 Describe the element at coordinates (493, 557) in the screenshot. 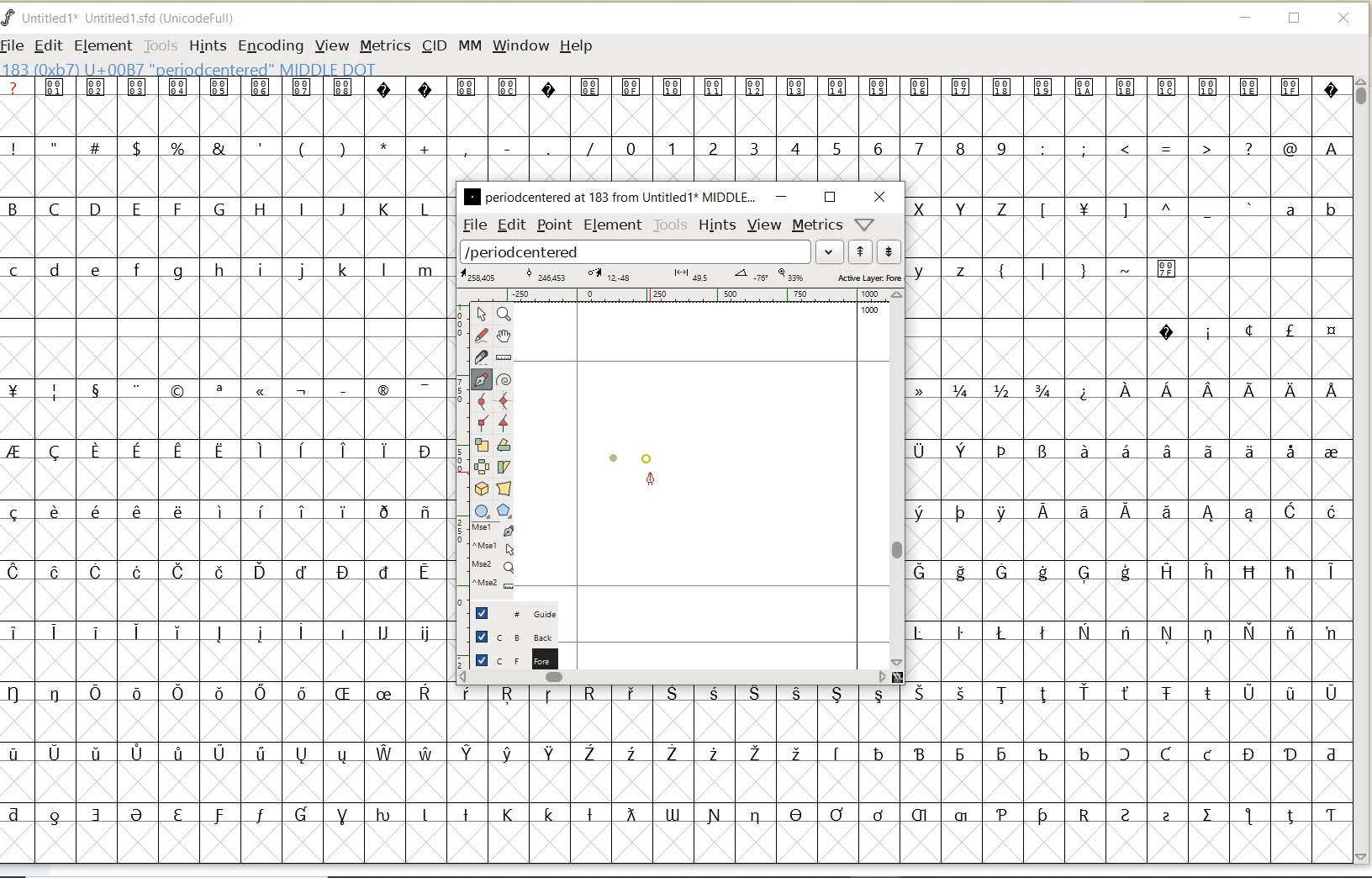

I see `cursor events on the opened outline window` at that location.